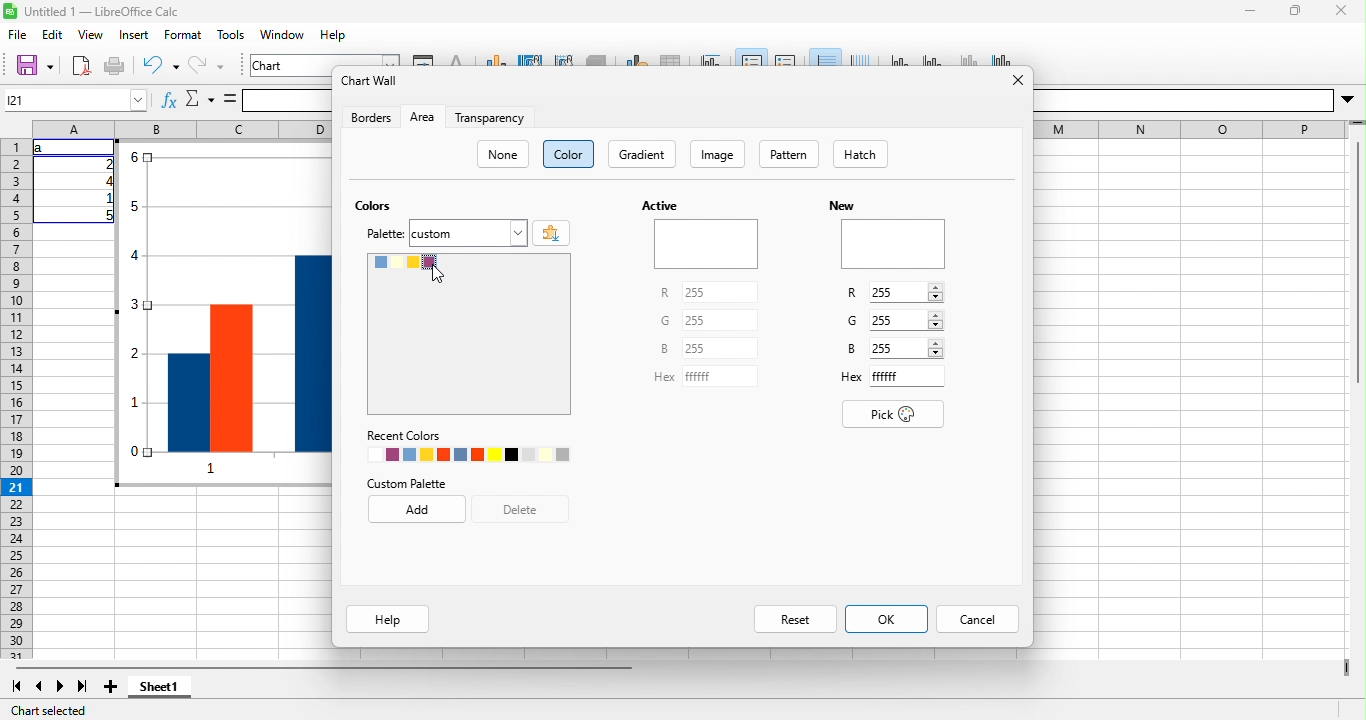 The width and height of the screenshot is (1366, 720). I want to click on Hex, so click(664, 377).